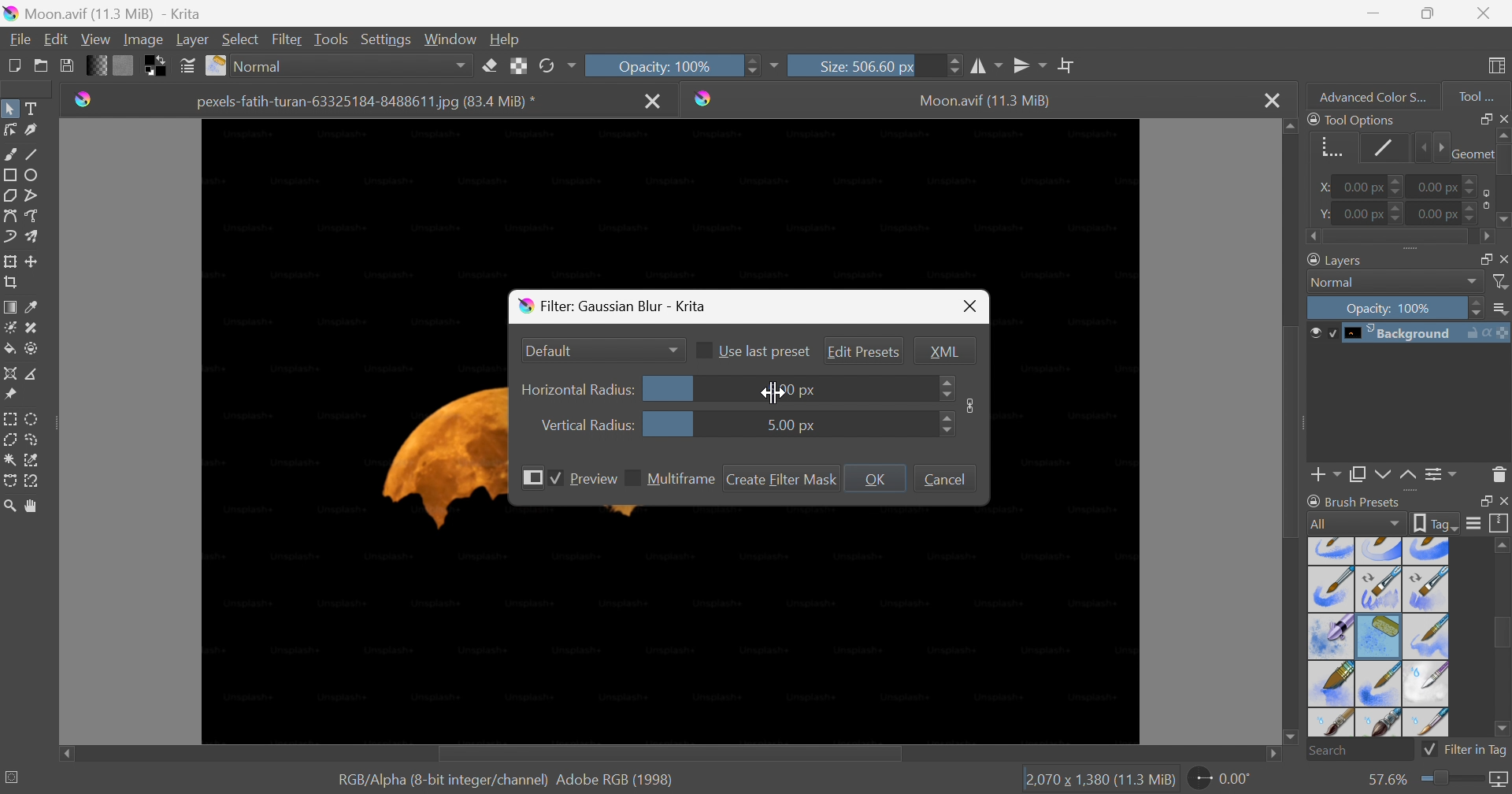 The height and width of the screenshot is (794, 1512). What do you see at coordinates (288, 39) in the screenshot?
I see `Filter` at bounding box center [288, 39].